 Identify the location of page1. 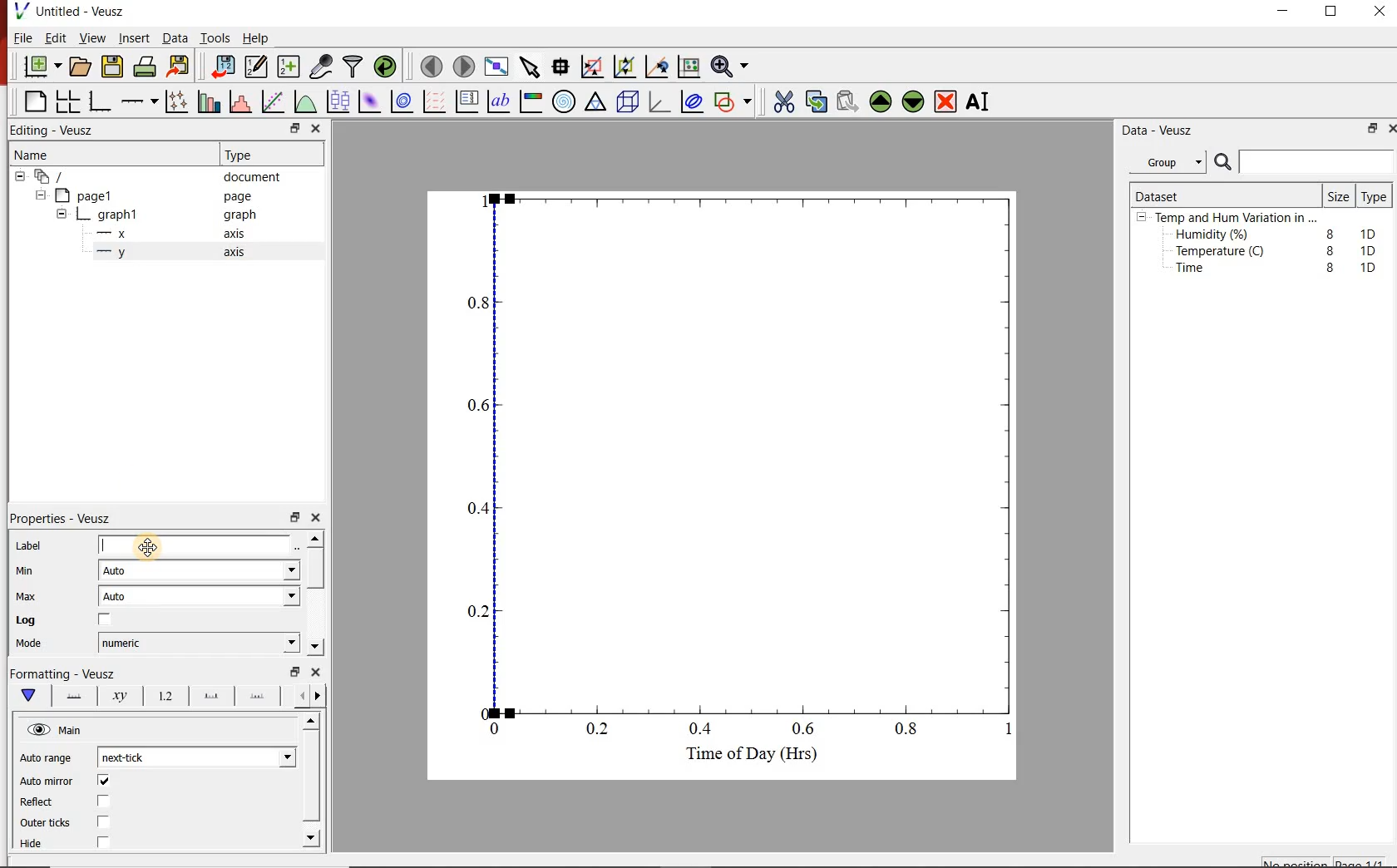
(93, 195).